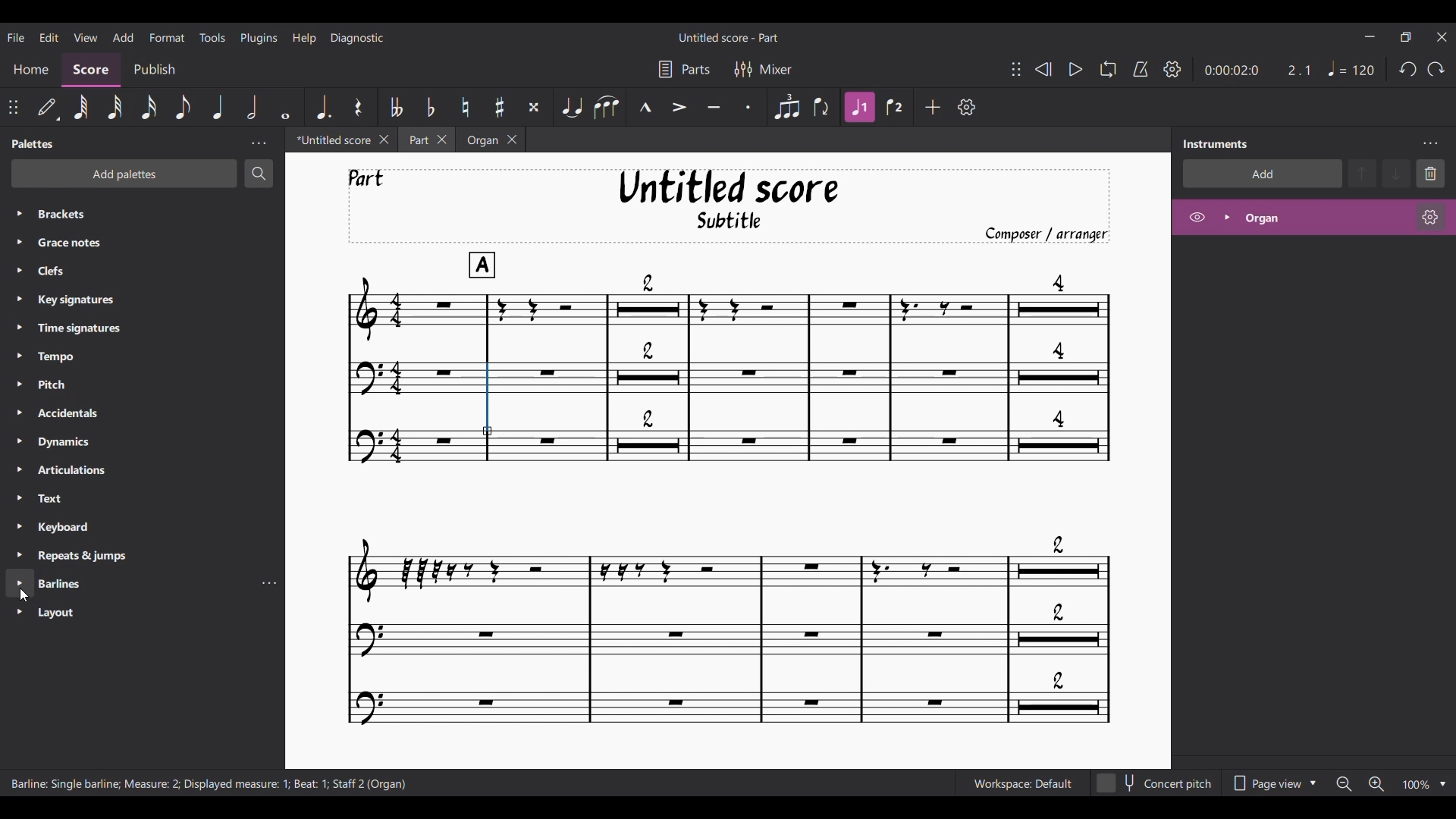 This screenshot has width=1456, height=819. I want to click on Panel title, so click(33, 143).